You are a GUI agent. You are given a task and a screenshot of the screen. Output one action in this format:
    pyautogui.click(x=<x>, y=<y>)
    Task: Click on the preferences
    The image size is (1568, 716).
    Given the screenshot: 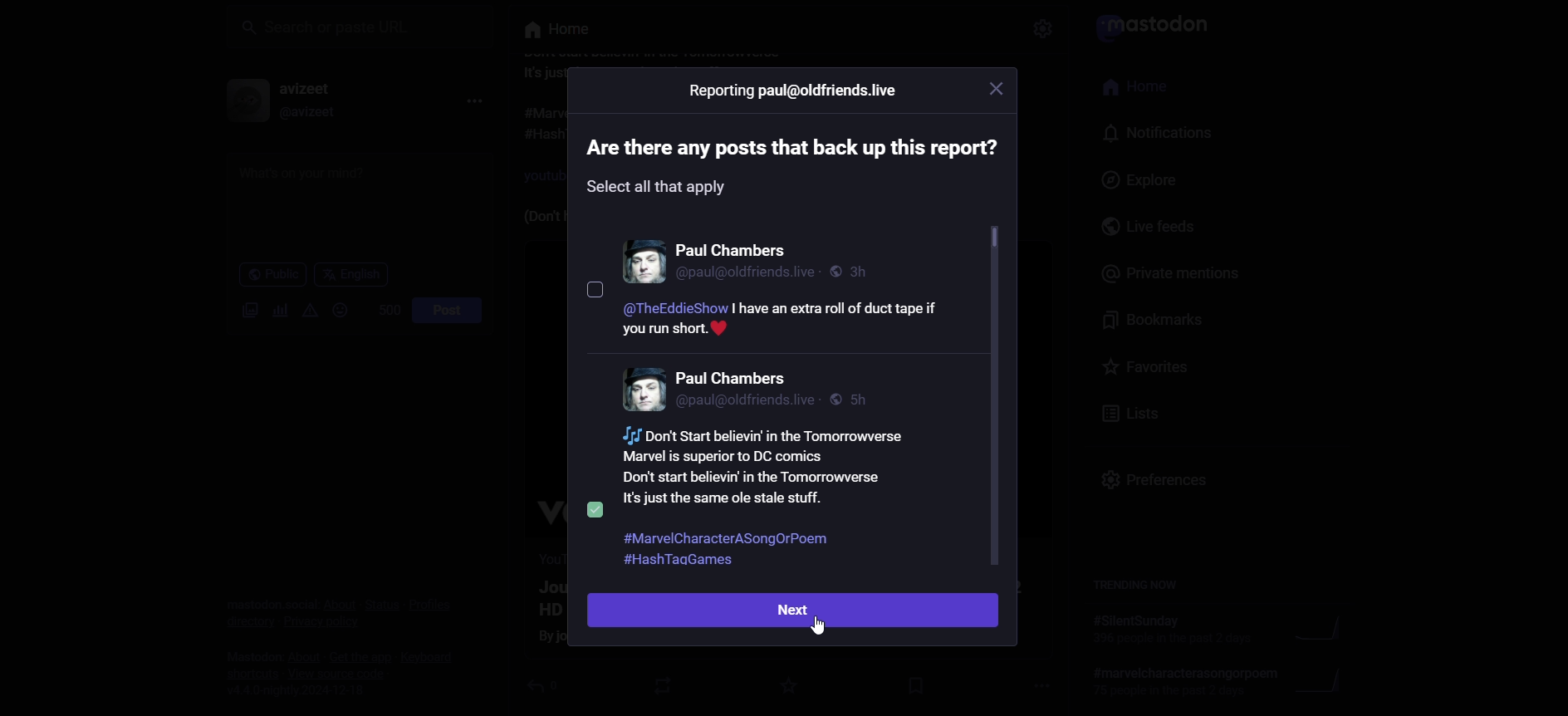 What is the action you would take?
    pyautogui.click(x=1162, y=485)
    